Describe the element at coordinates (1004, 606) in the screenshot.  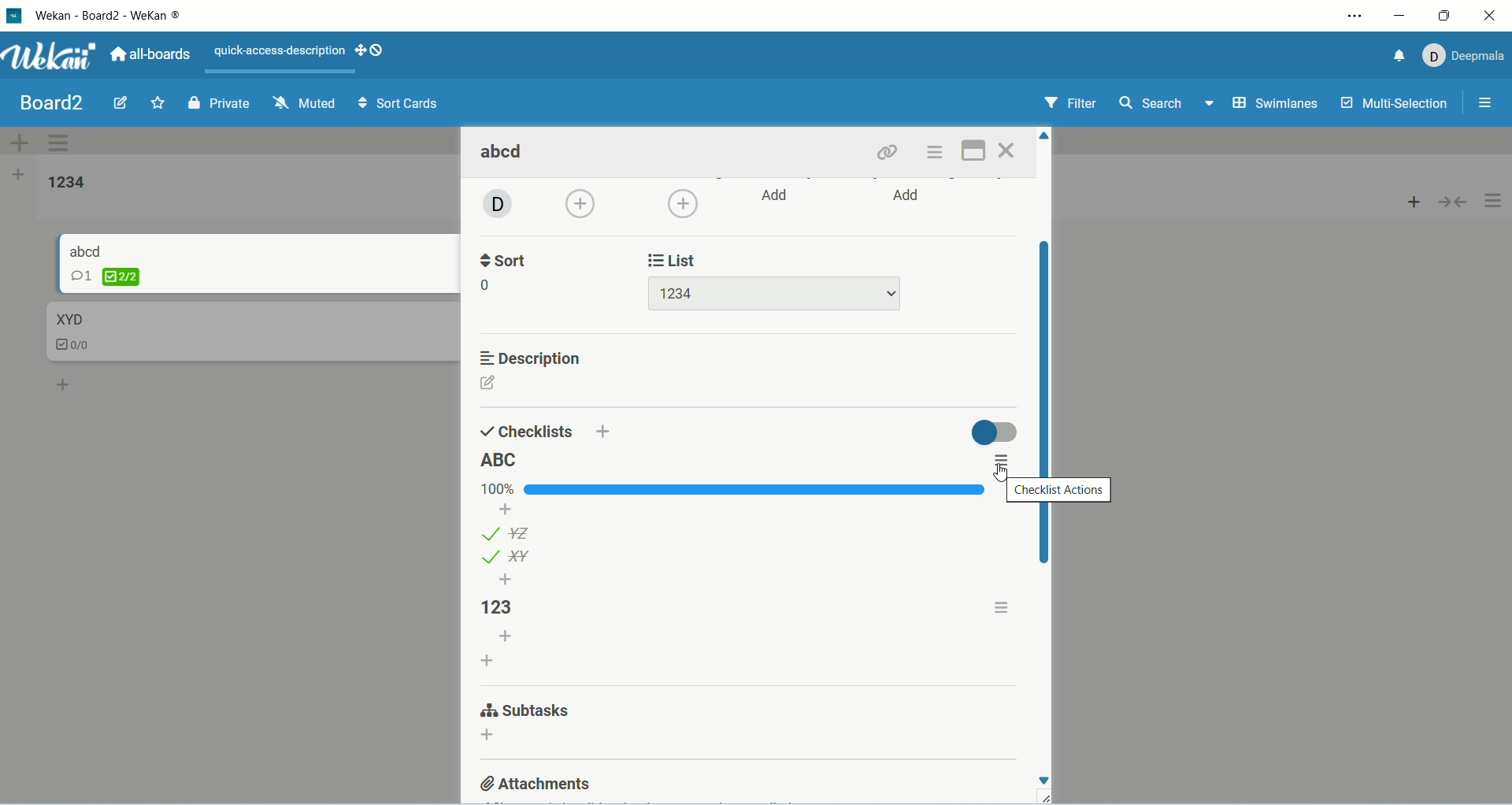
I see `options` at that location.